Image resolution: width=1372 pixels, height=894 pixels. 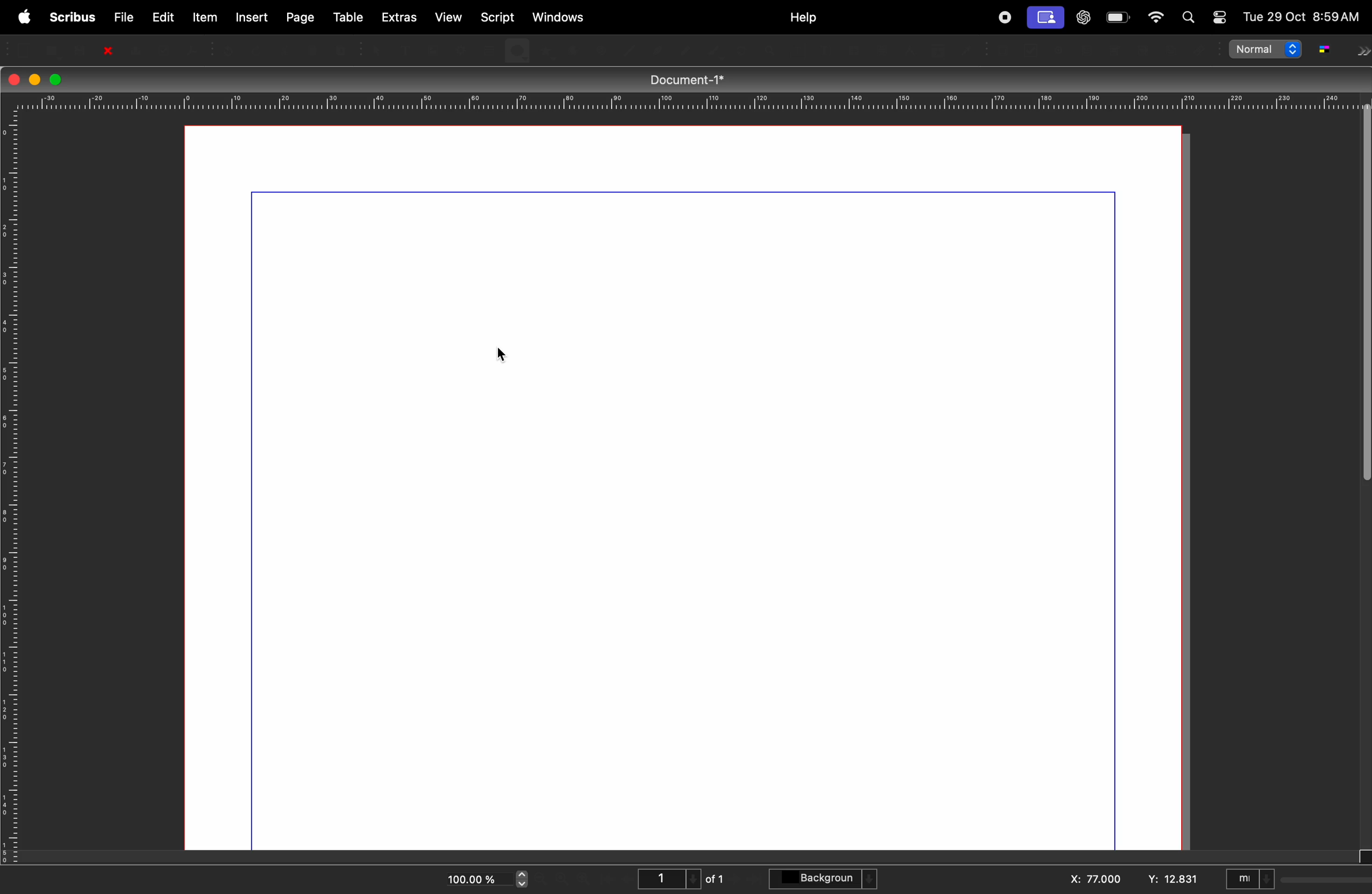 I want to click on vertical scale, so click(x=10, y=491).